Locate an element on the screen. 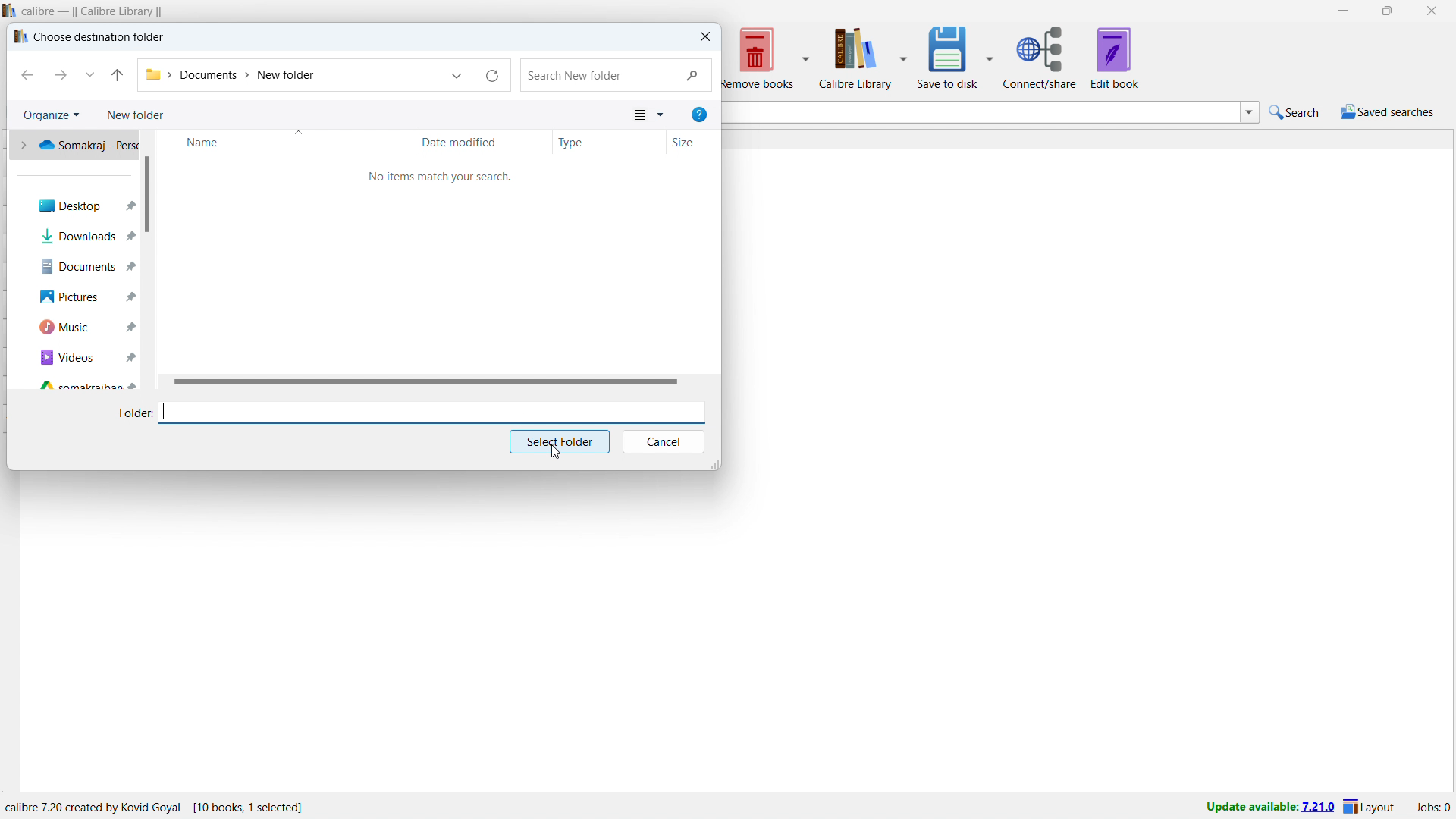 This screenshot has width=1456, height=819. previous folder is located at coordinates (25, 75).